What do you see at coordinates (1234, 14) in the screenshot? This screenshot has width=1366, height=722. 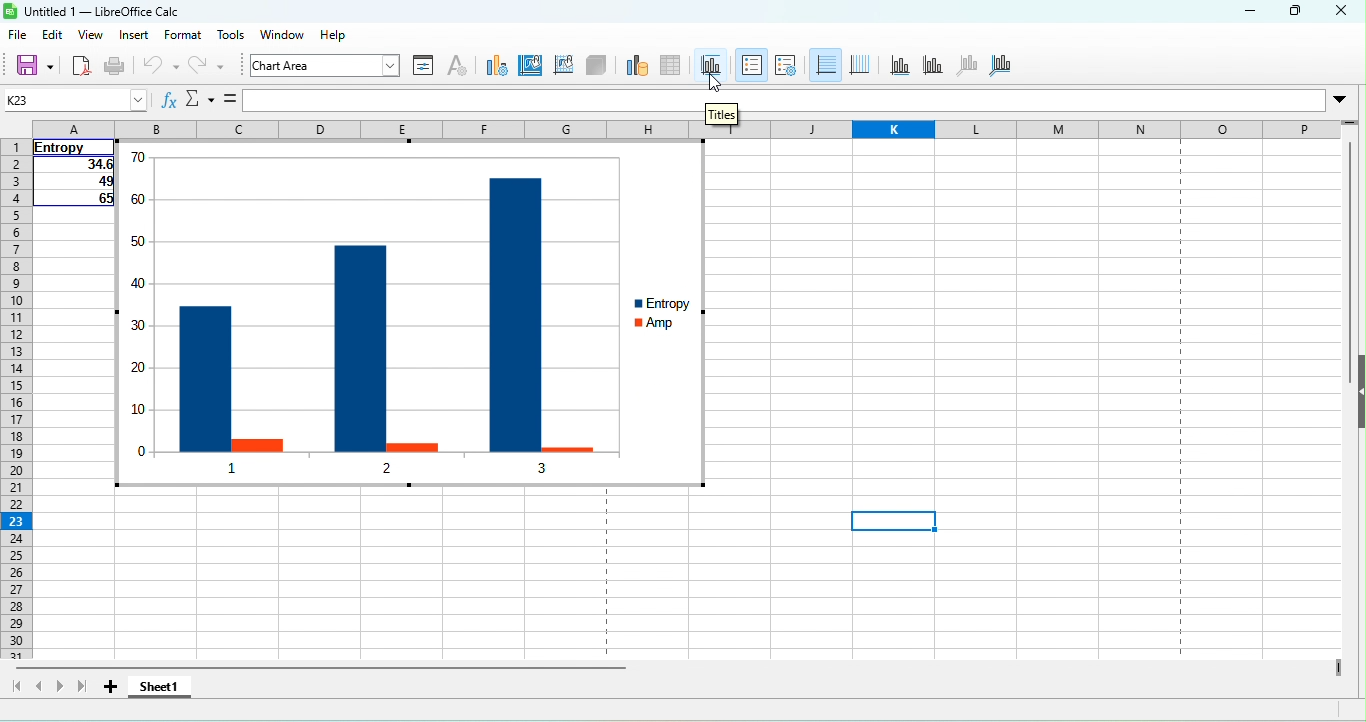 I see `minimize` at bounding box center [1234, 14].